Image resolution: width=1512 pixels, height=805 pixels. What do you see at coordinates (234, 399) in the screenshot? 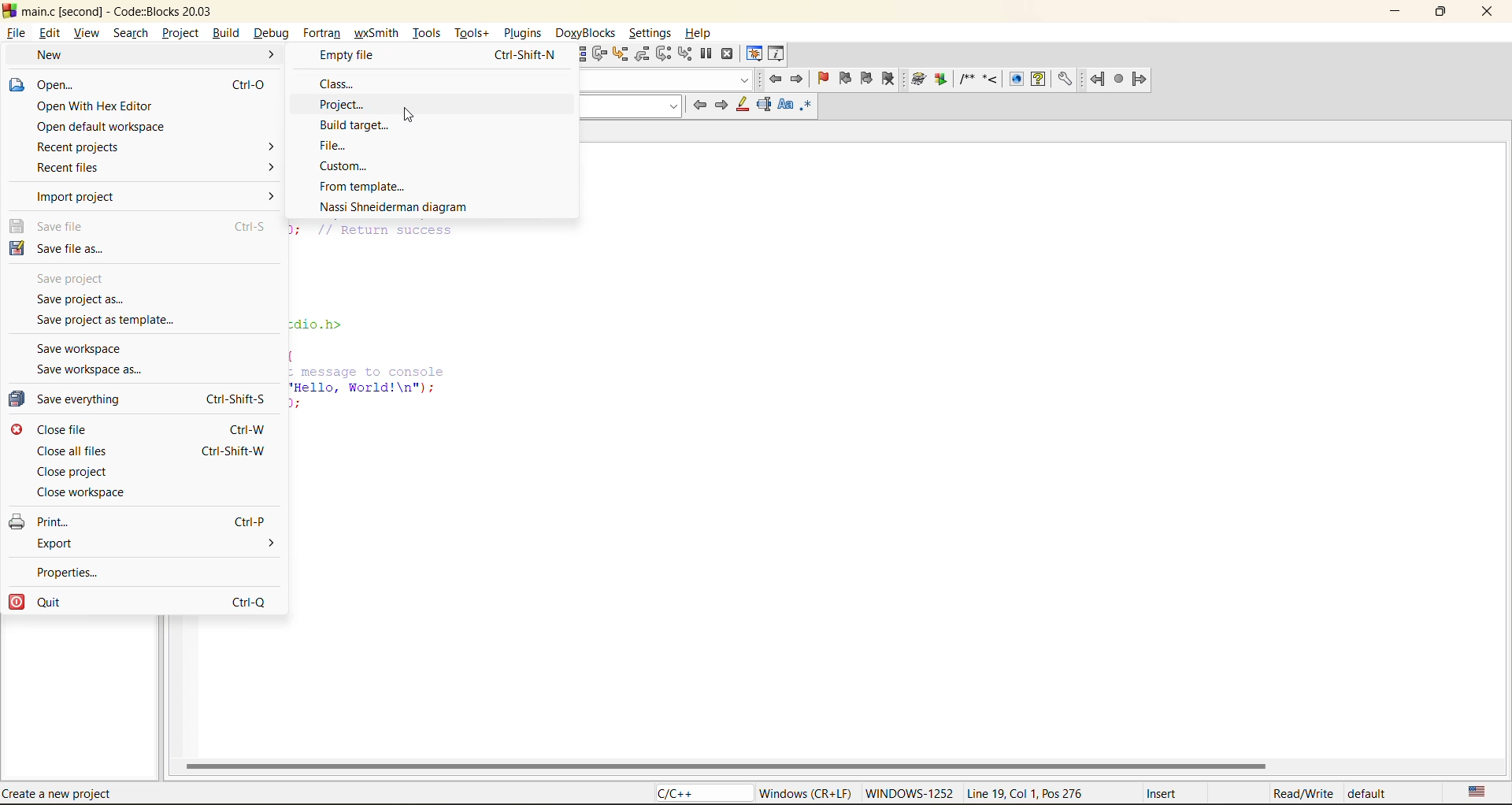
I see `Ctrl-Shift-S.` at bounding box center [234, 399].